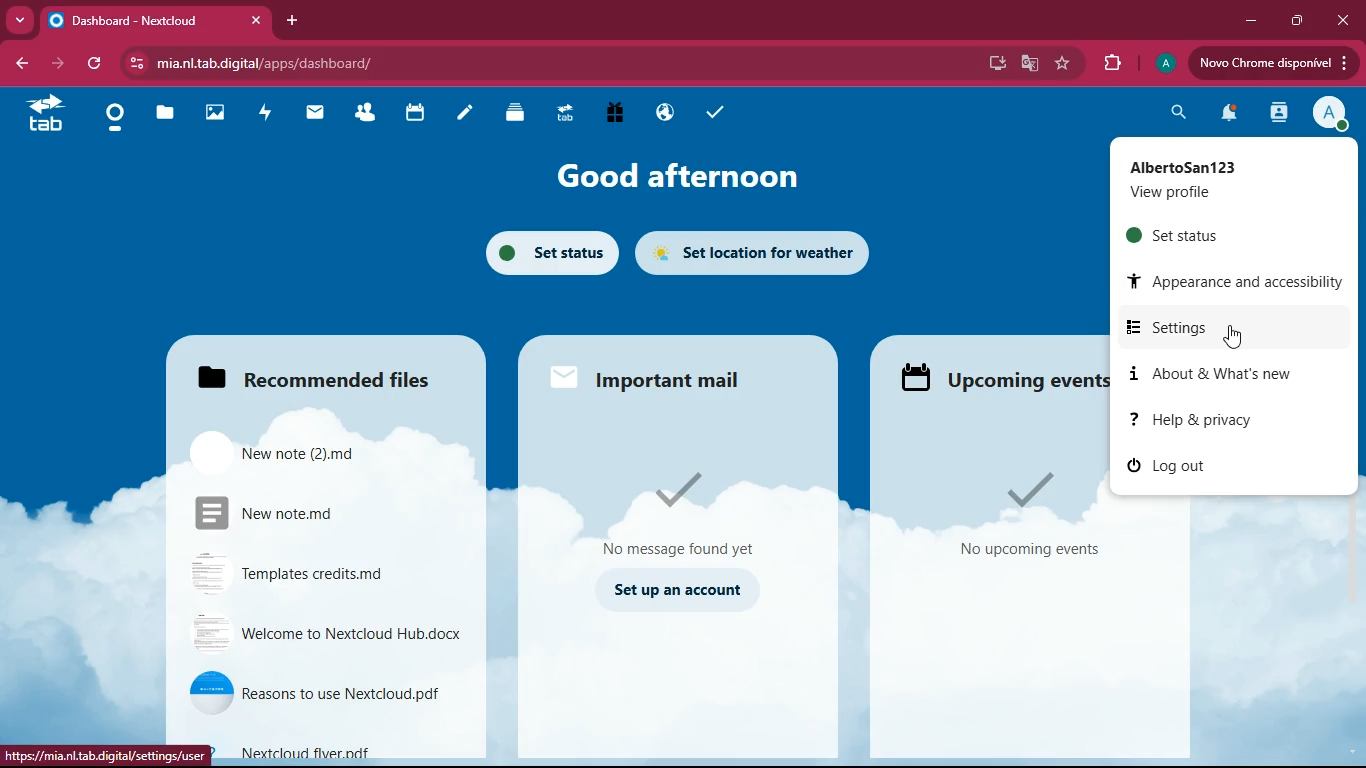 The height and width of the screenshot is (768, 1366). I want to click on help, so click(1229, 423).